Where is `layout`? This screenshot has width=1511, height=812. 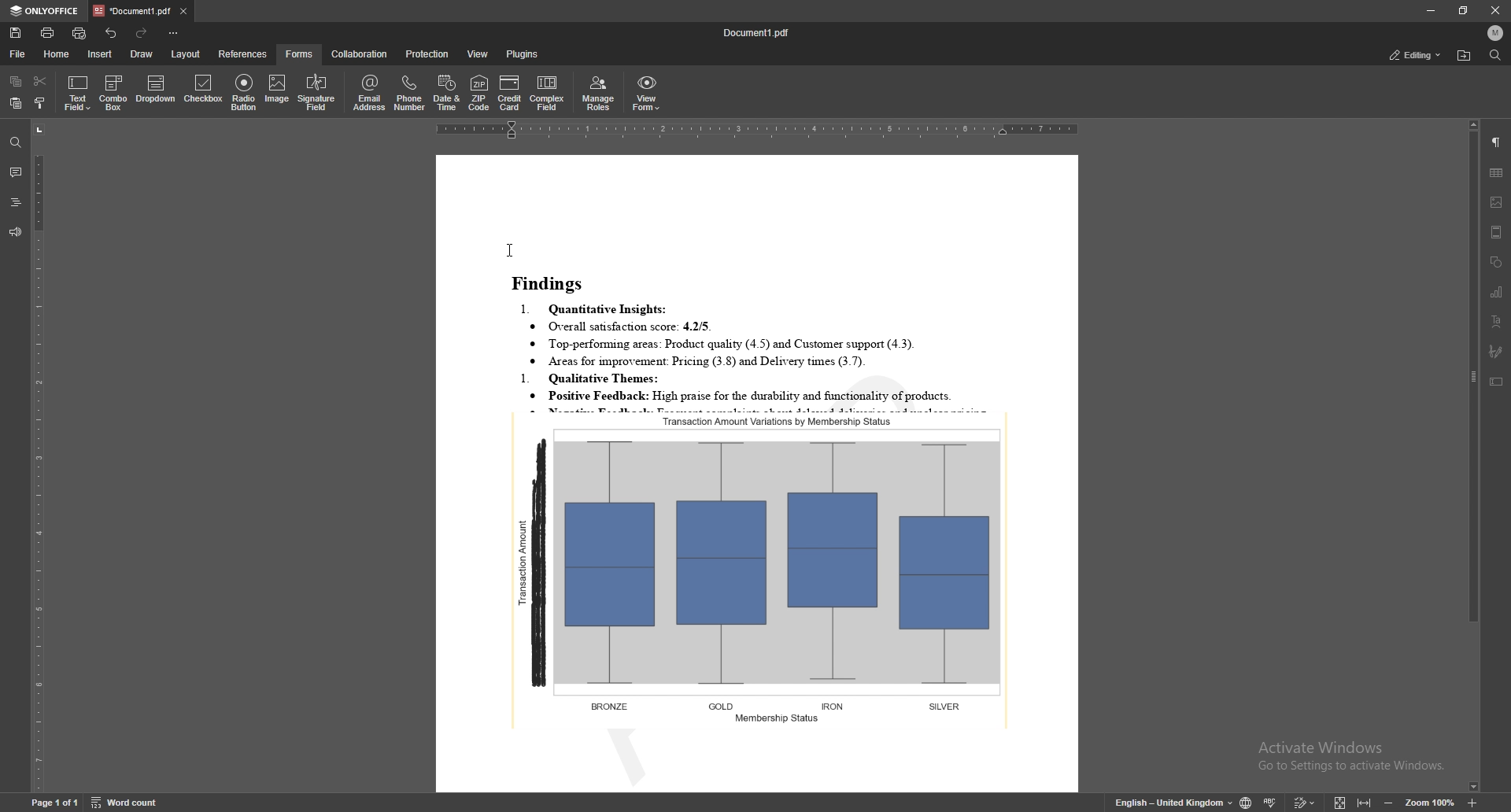 layout is located at coordinates (187, 54).